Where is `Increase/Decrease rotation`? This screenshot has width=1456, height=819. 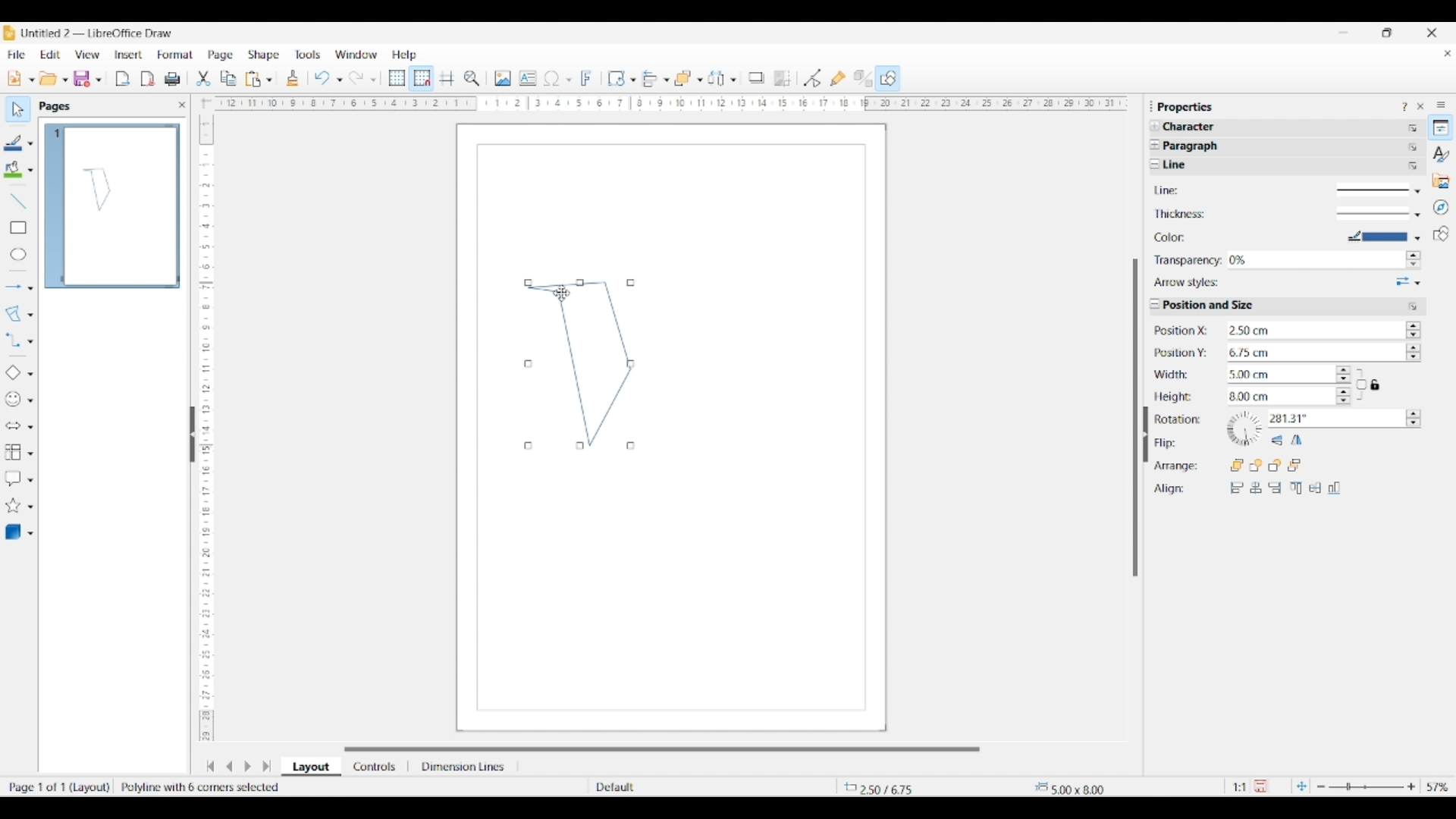 Increase/Decrease rotation is located at coordinates (1414, 418).